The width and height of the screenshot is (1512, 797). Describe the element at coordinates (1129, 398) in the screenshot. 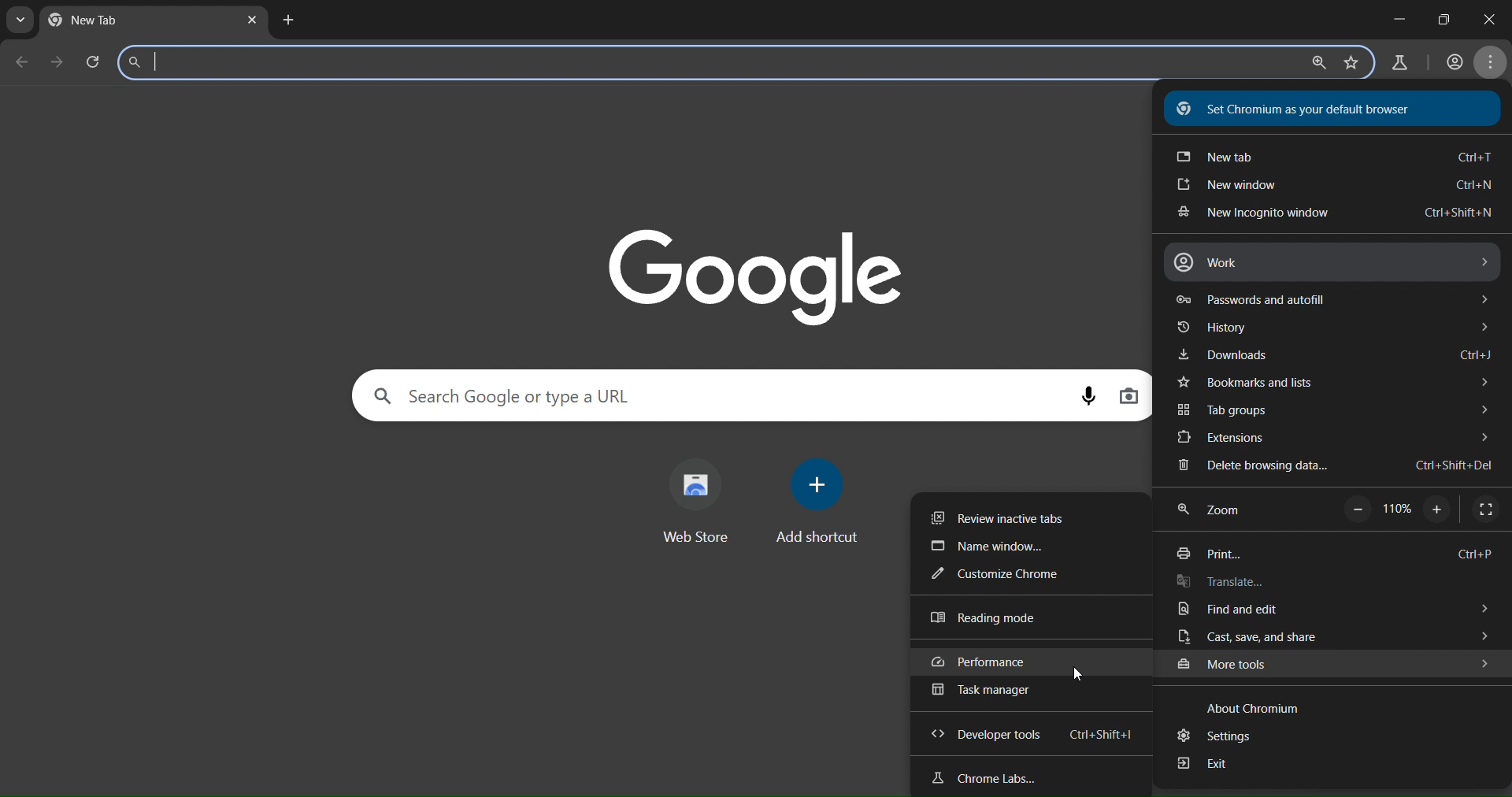

I see `image search` at that location.